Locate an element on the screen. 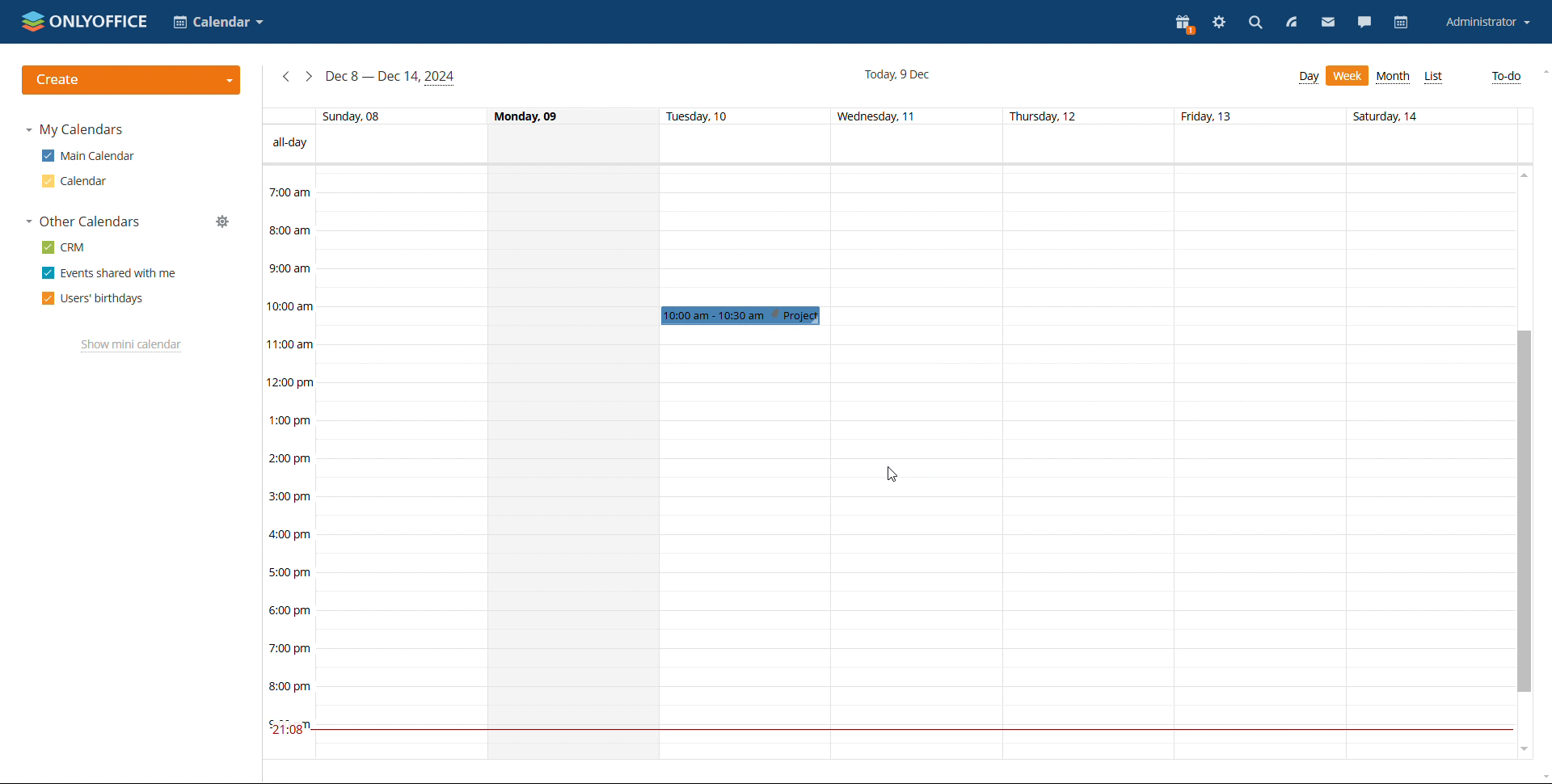 The image size is (1552, 784). to-do is located at coordinates (1508, 78).